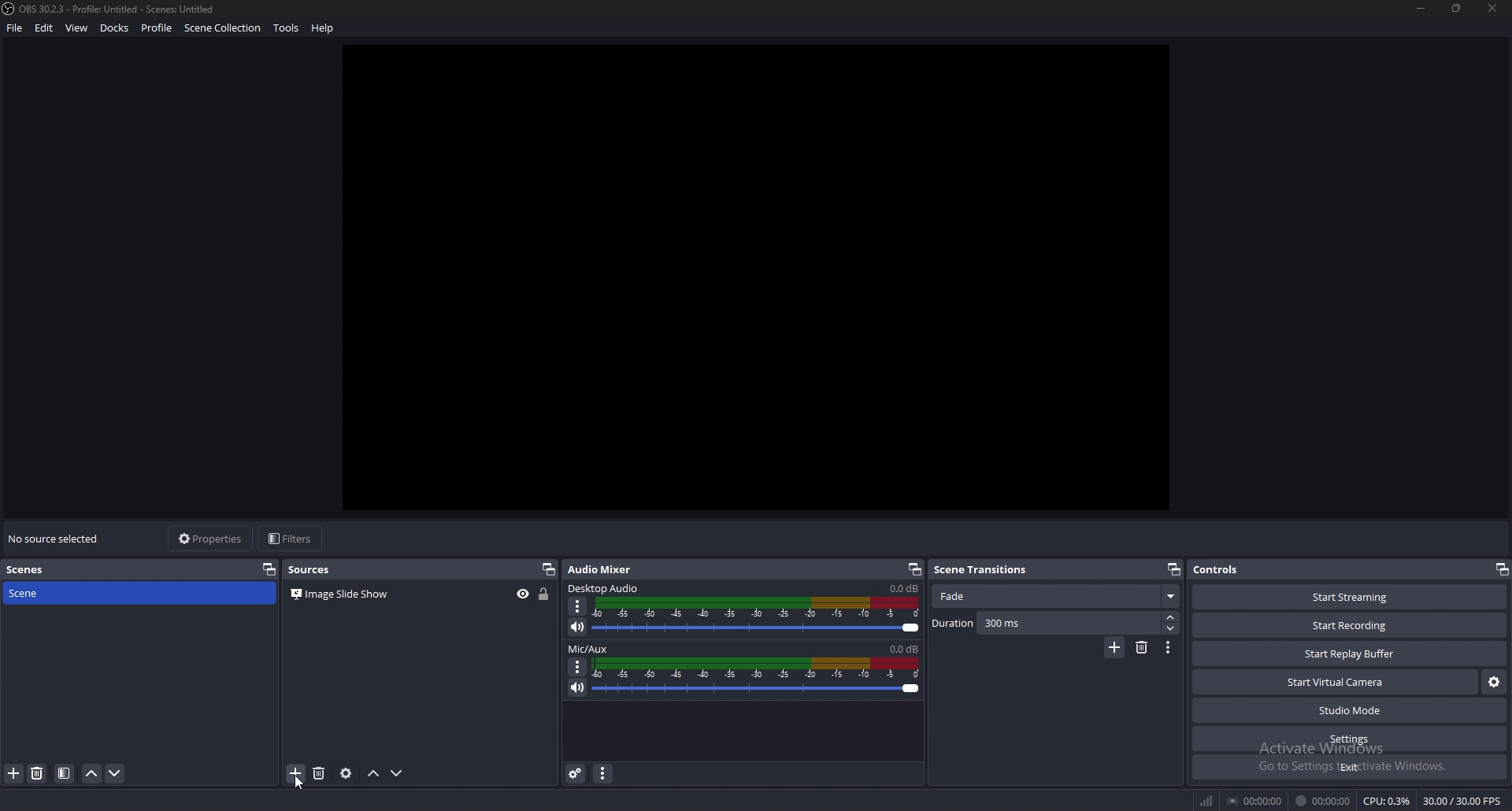 The width and height of the screenshot is (1512, 811). Describe the element at coordinates (315, 568) in the screenshot. I see `sources` at that location.